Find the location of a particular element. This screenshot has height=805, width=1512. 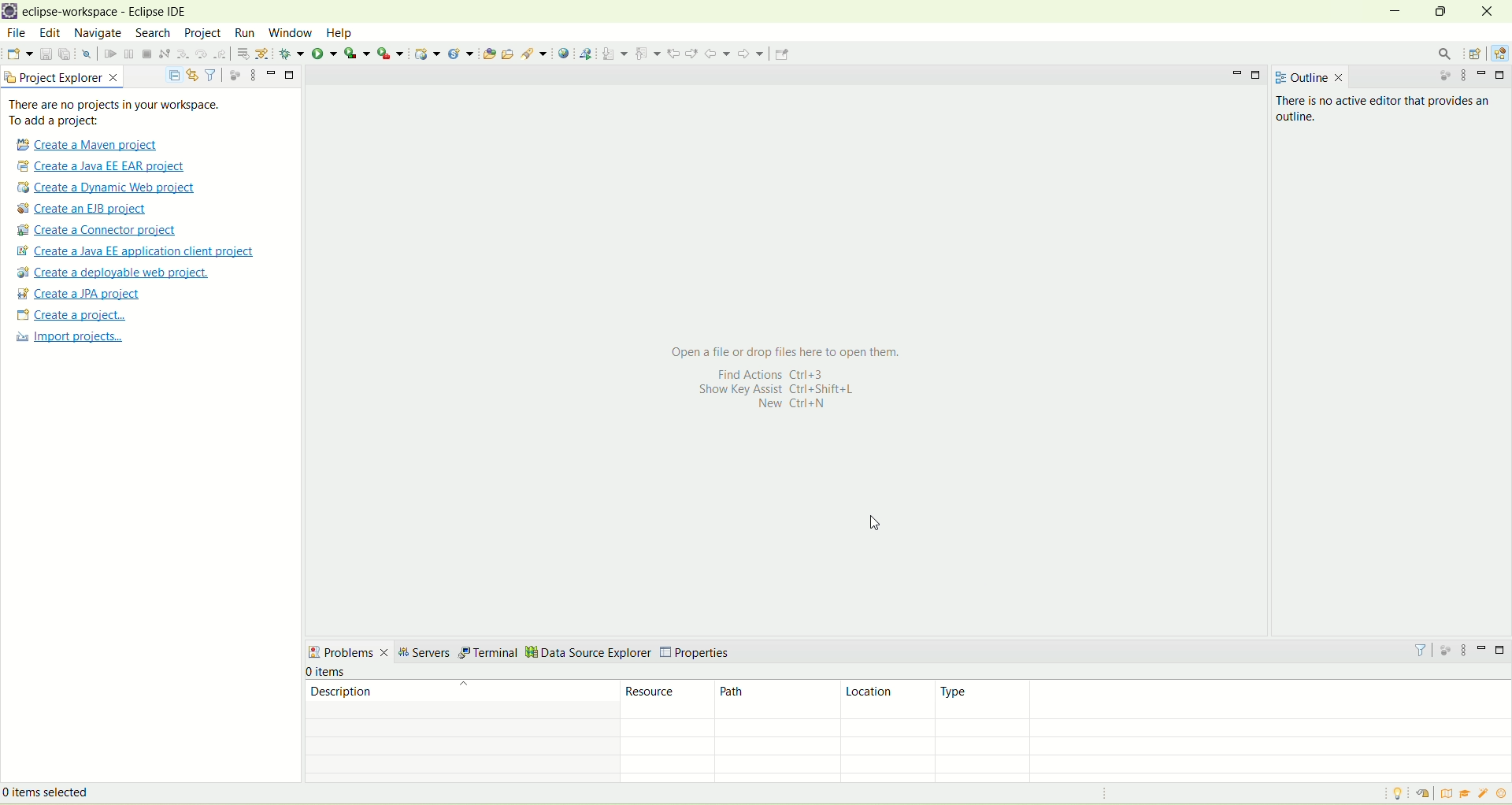

maximize is located at coordinates (1258, 74).